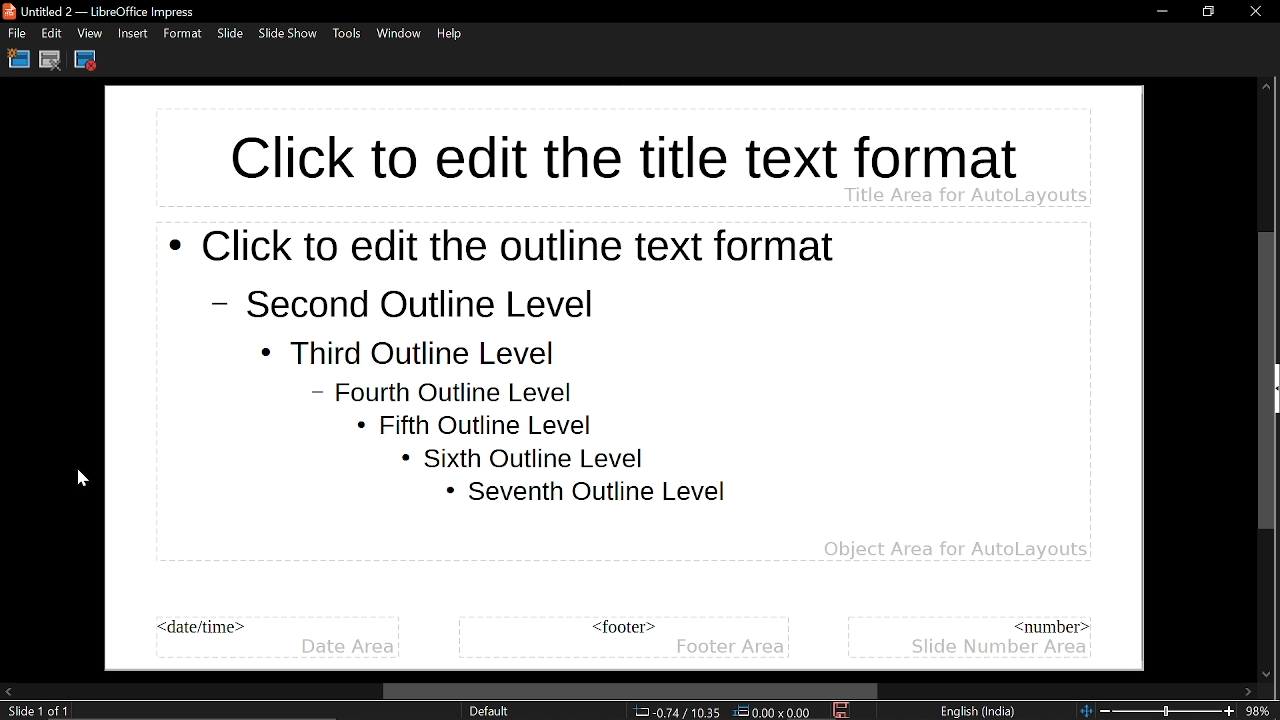 The image size is (1280, 720). What do you see at coordinates (77, 478) in the screenshot?
I see `Cursor` at bounding box center [77, 478].